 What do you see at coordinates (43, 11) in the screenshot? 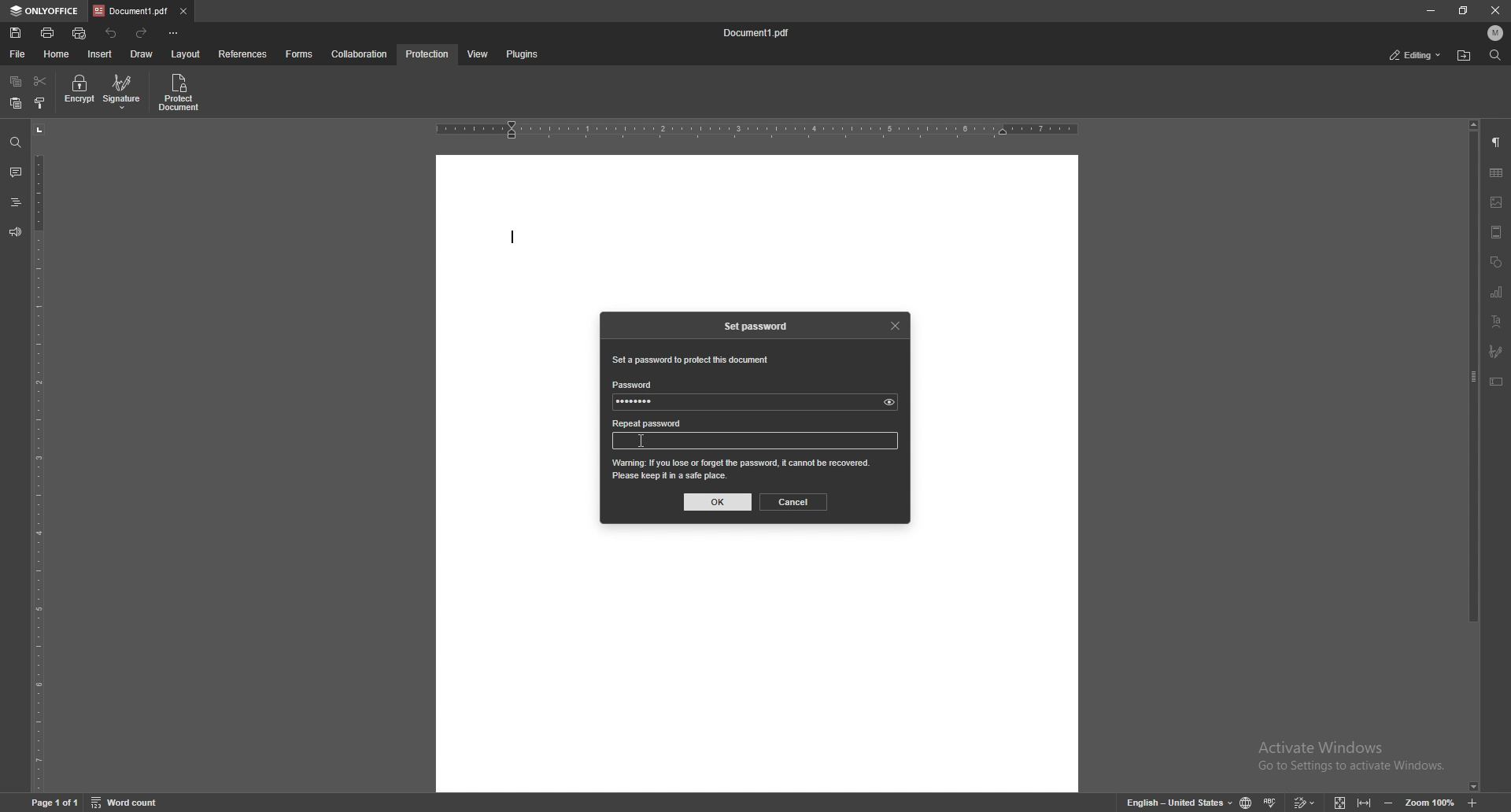
I see `onlyoffice` at bounding box center [43, 11].